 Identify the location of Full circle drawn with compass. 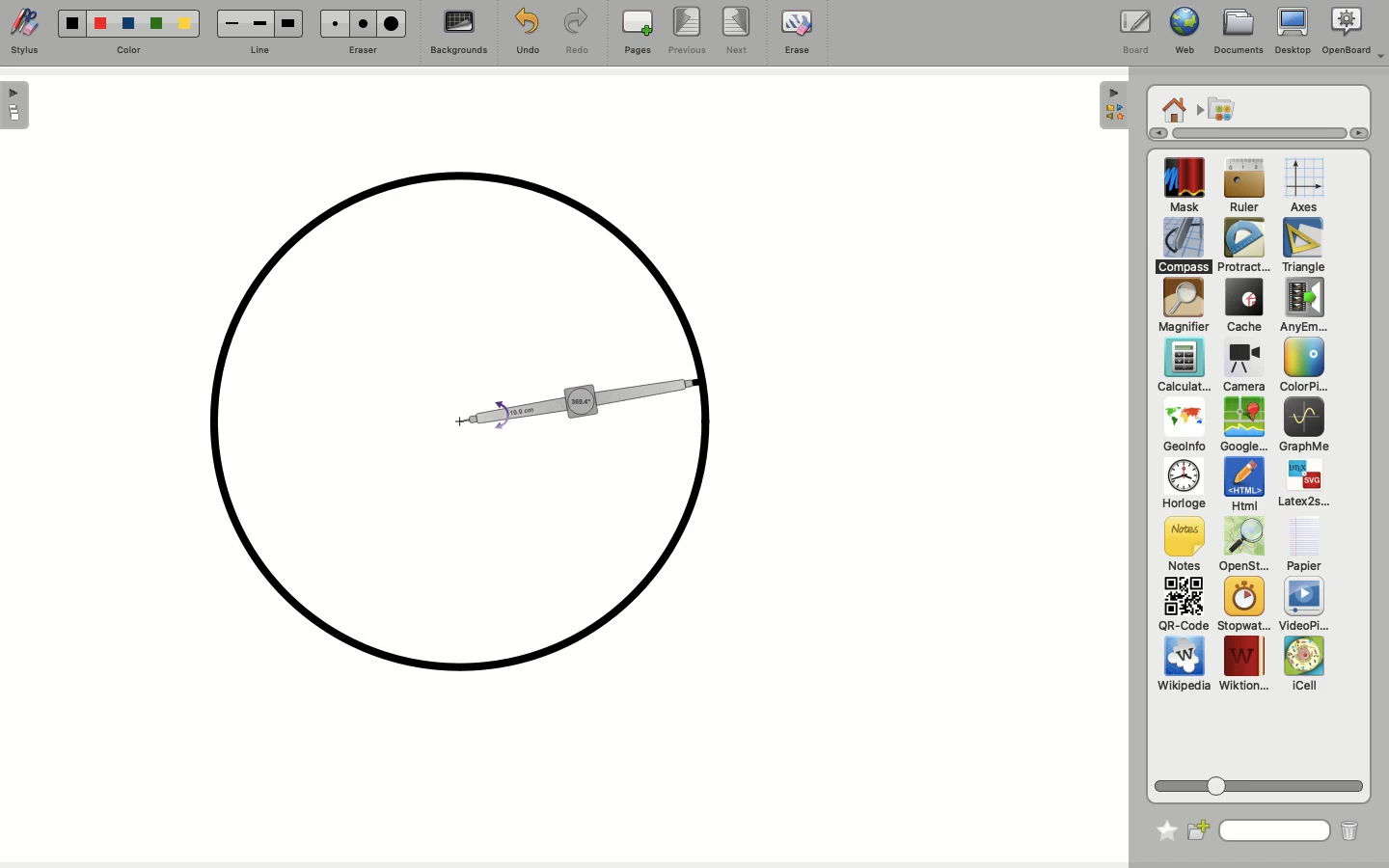
(463, 424).